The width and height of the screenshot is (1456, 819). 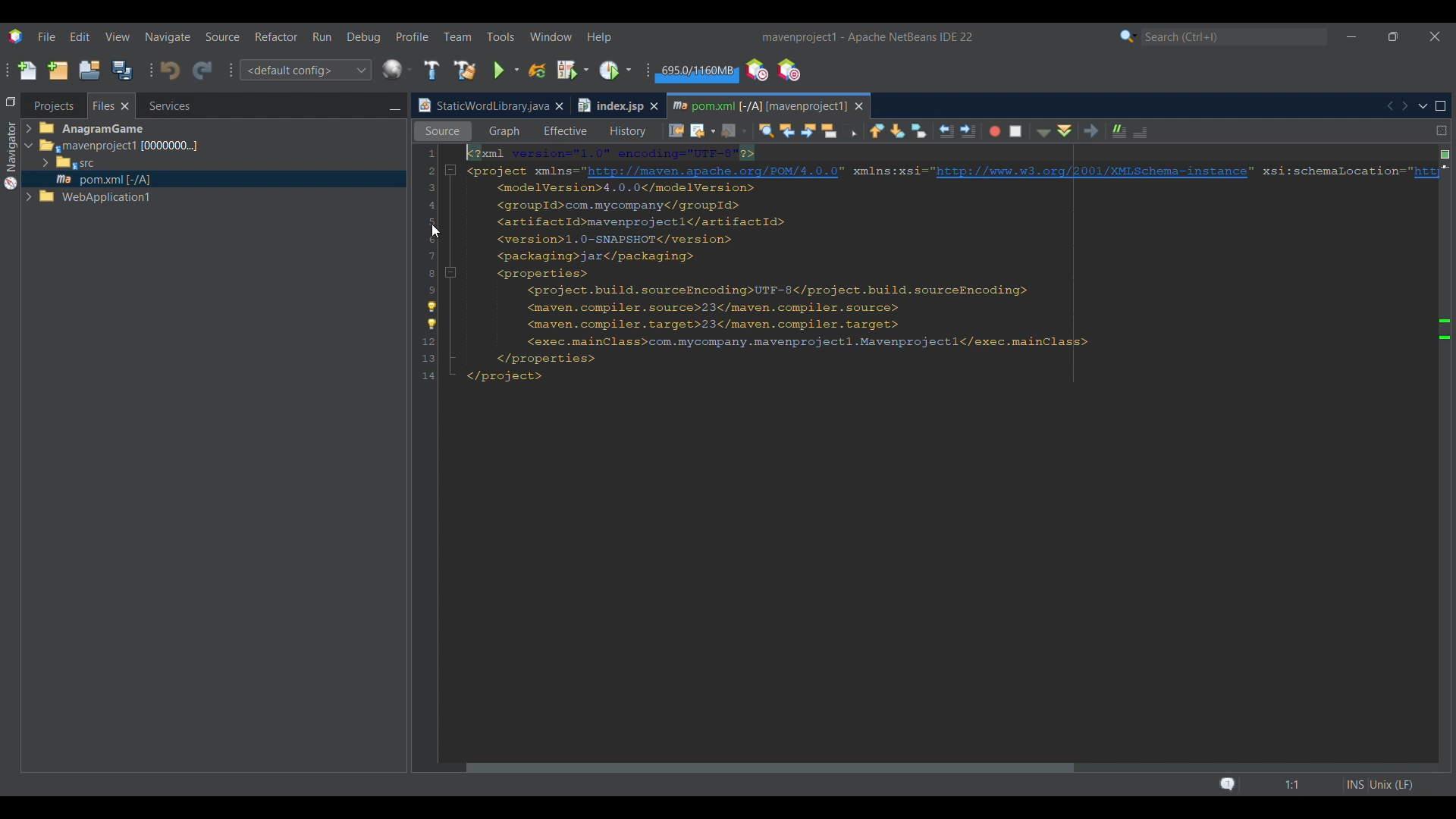 What do you see at coordinates (598, 38) in the screenshot?
I see `Help menu` at bounding box center [598, 38].